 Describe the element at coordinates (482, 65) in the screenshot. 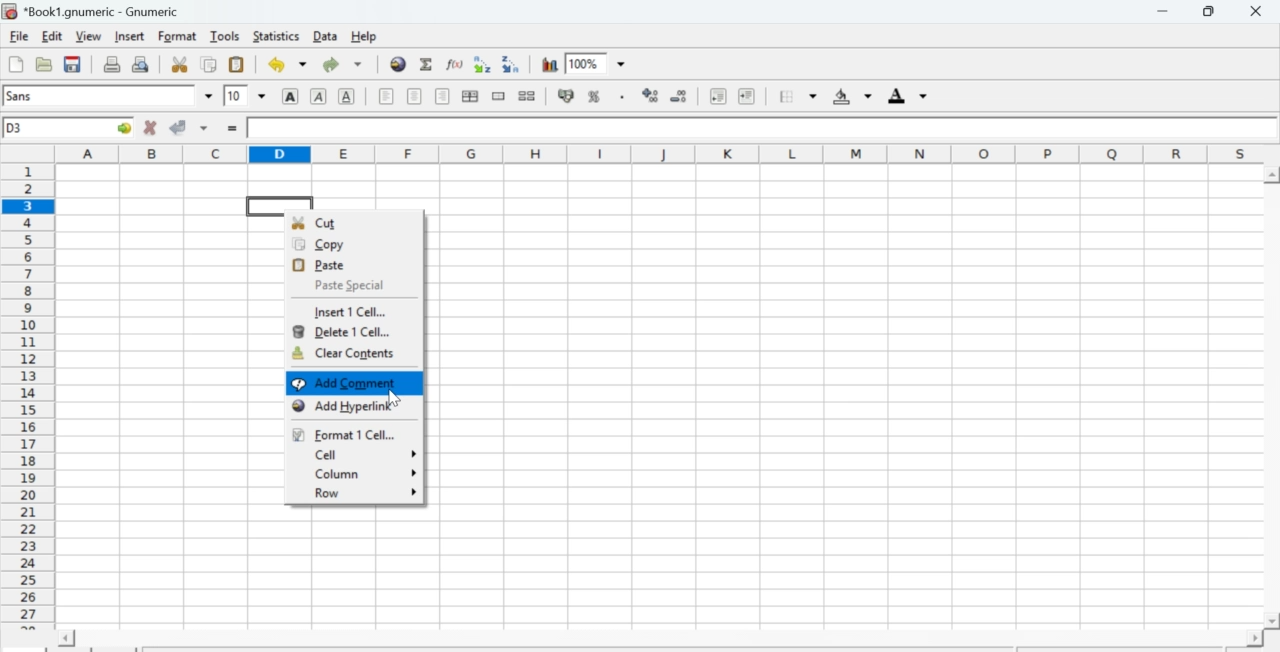

I see `Sort ascending` at that location.